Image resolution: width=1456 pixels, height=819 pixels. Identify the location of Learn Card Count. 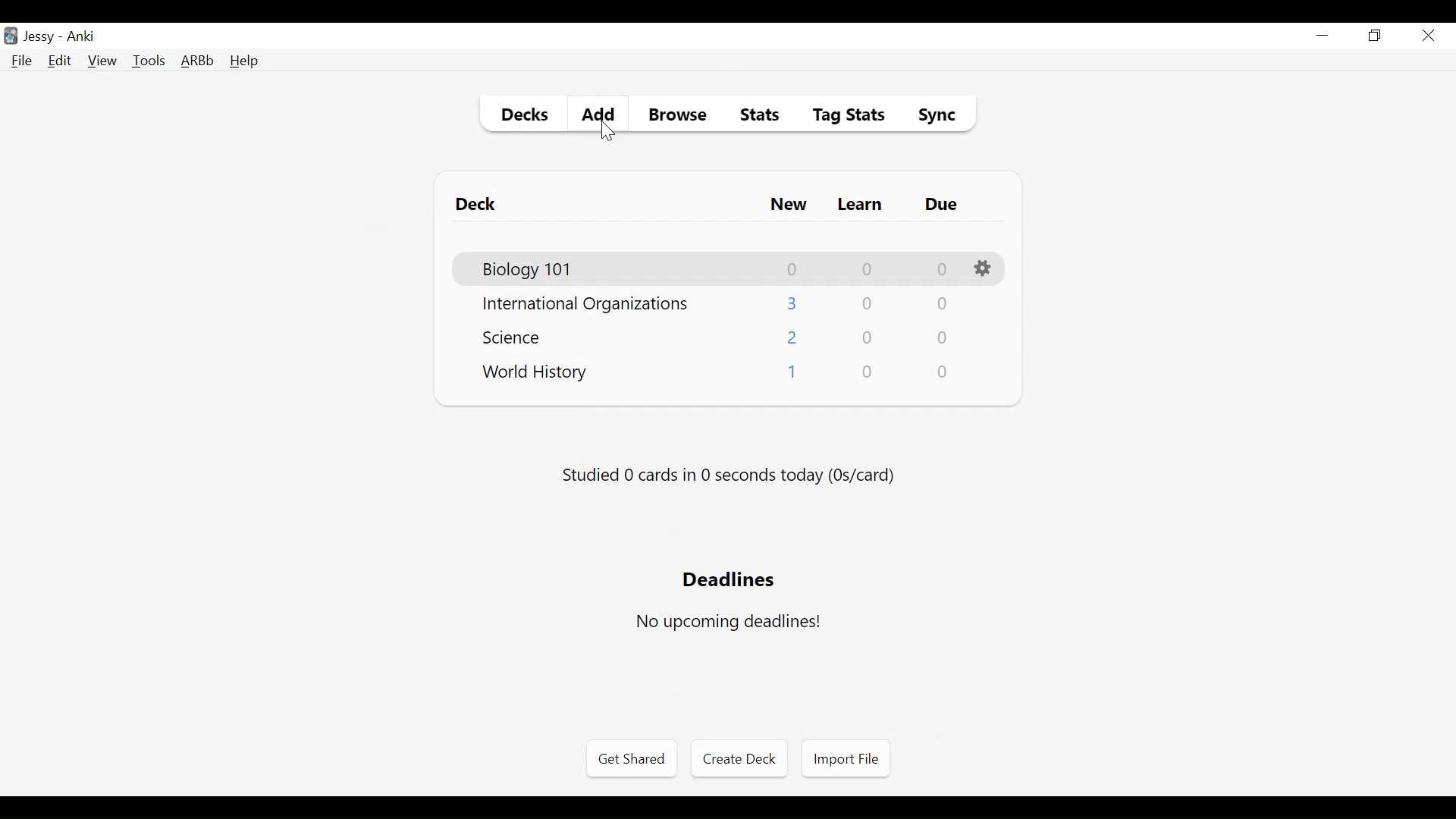
(866, 269).